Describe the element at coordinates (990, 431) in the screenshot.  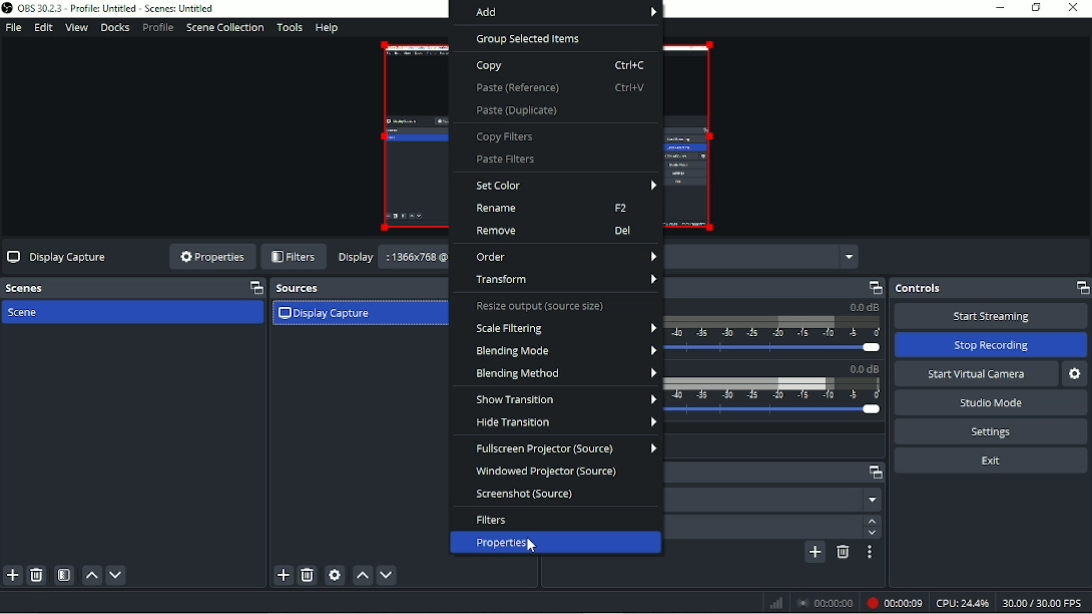
I see `Settings` at that location.